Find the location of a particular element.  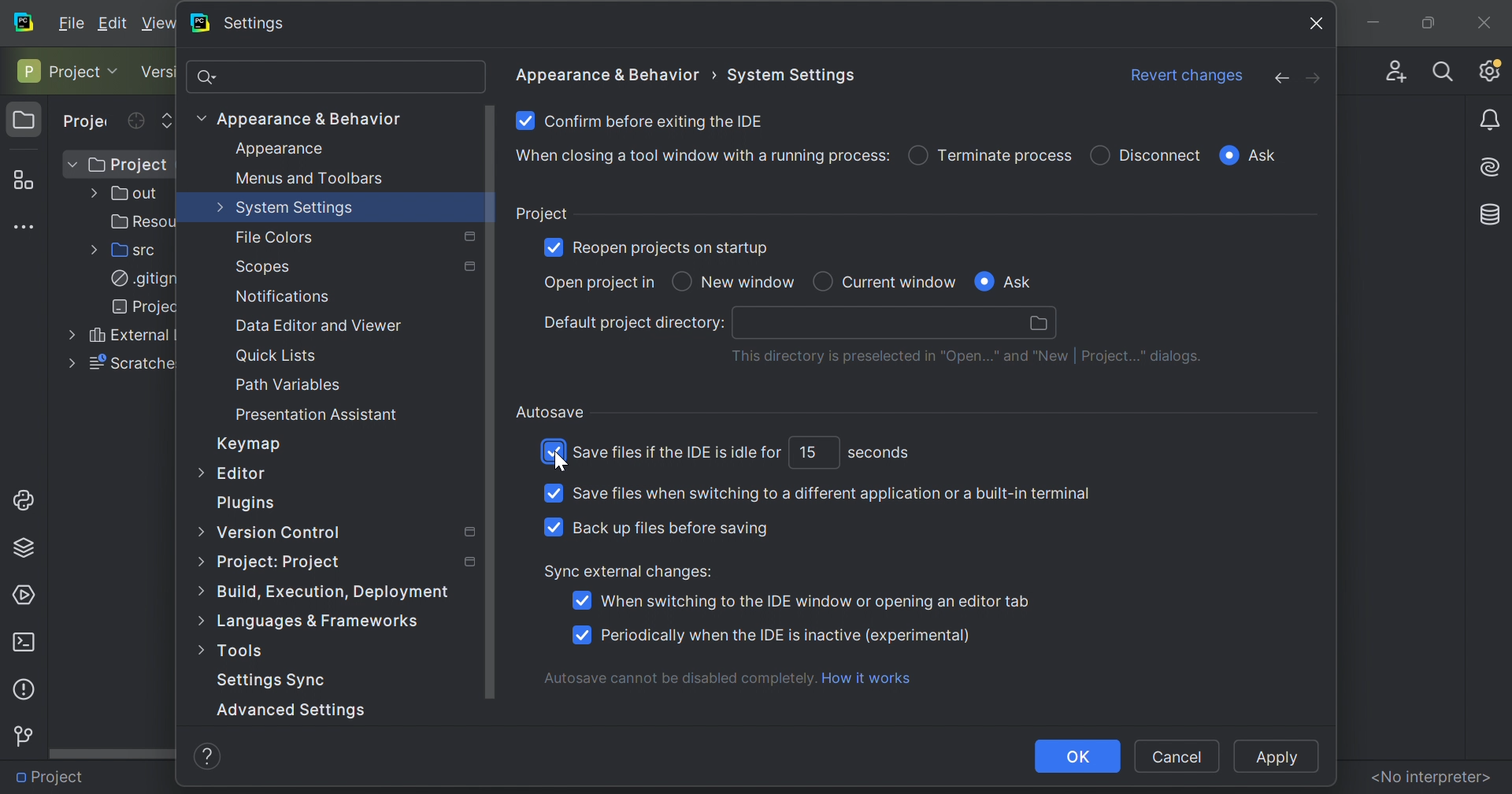

Sync external changes: is located at coordinates (631, 573).